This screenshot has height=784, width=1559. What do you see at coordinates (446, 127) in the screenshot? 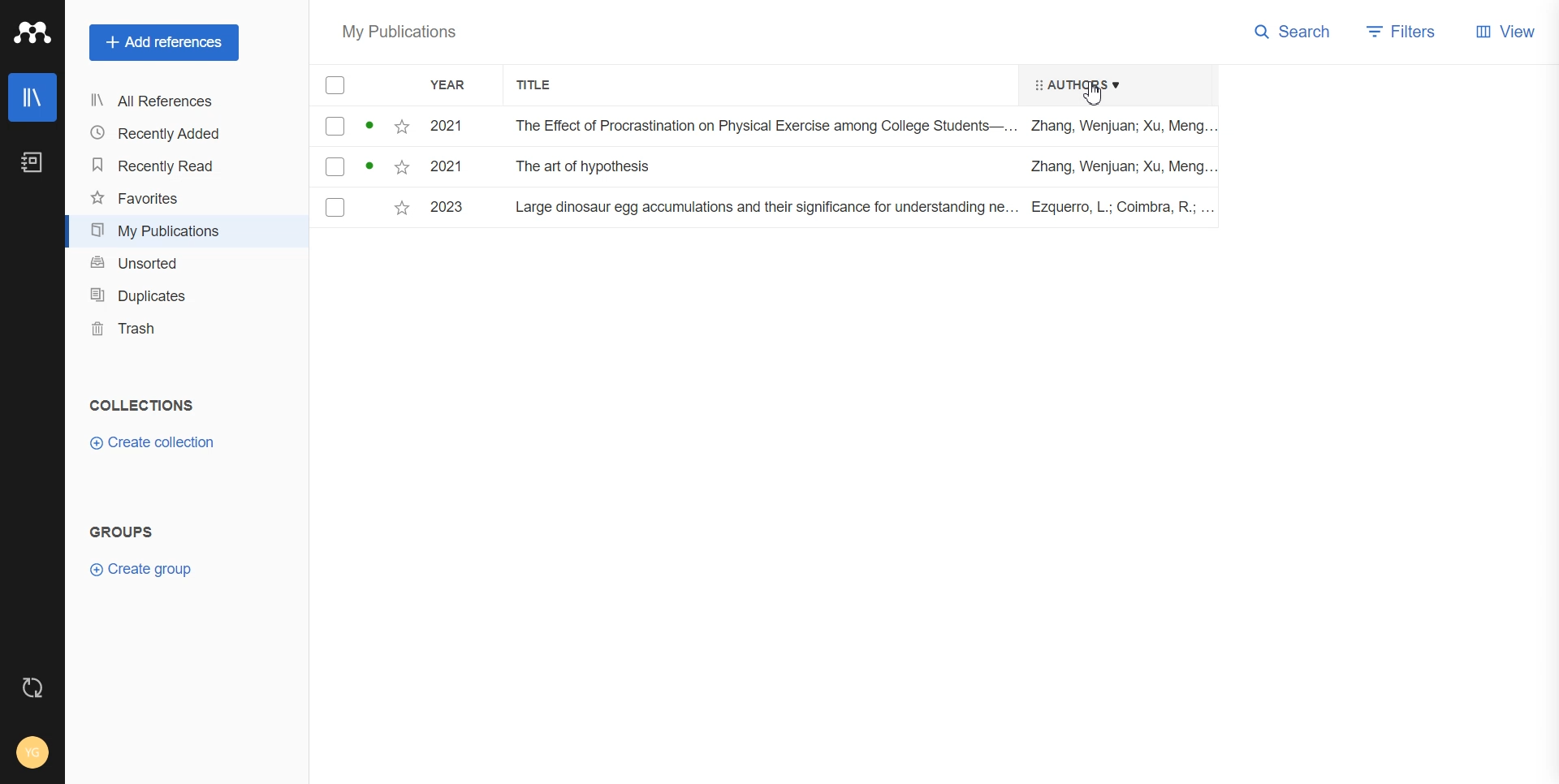
I see `2021` at bounding box center [446, 127].